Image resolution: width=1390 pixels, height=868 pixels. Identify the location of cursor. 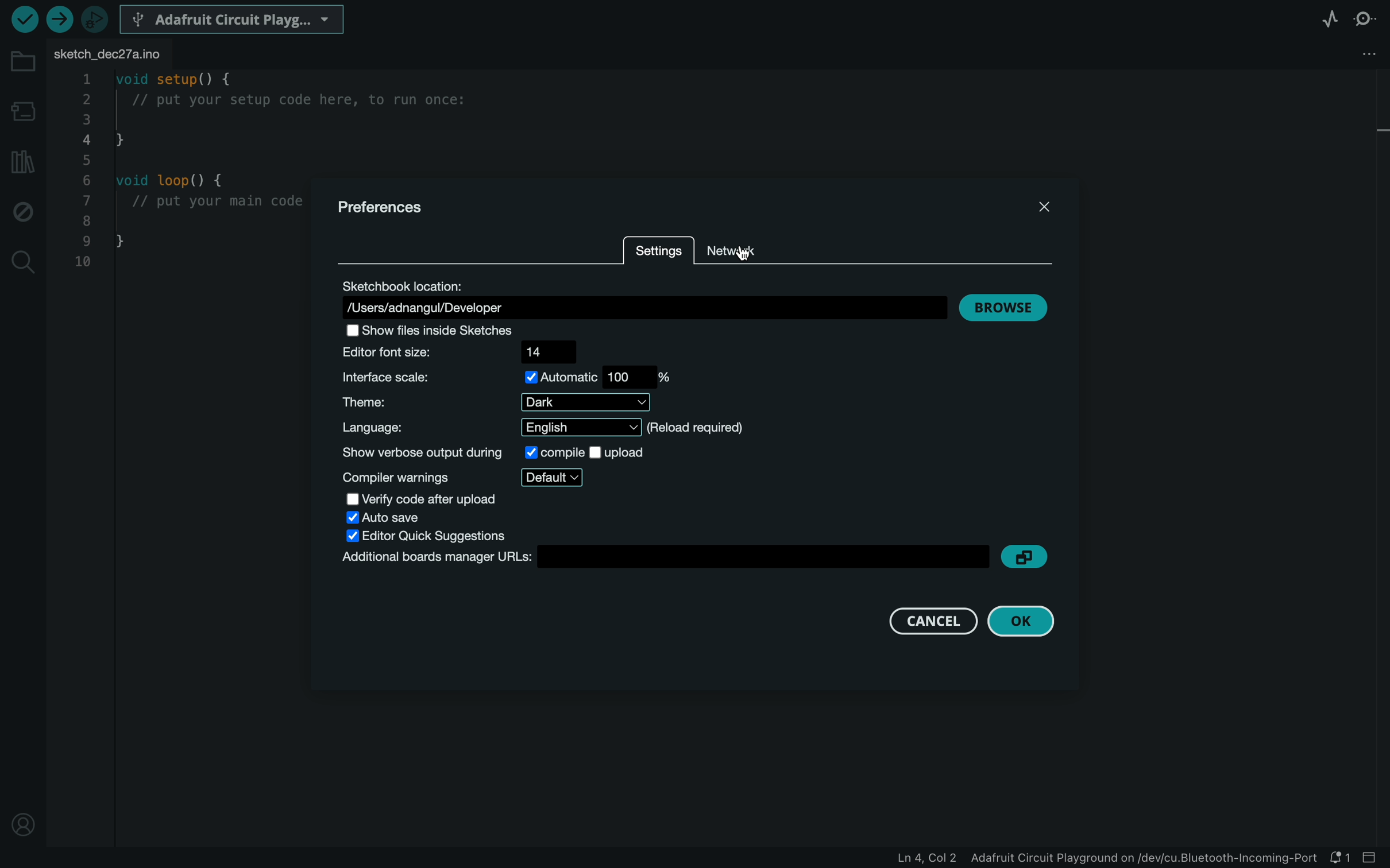
(754, 253).